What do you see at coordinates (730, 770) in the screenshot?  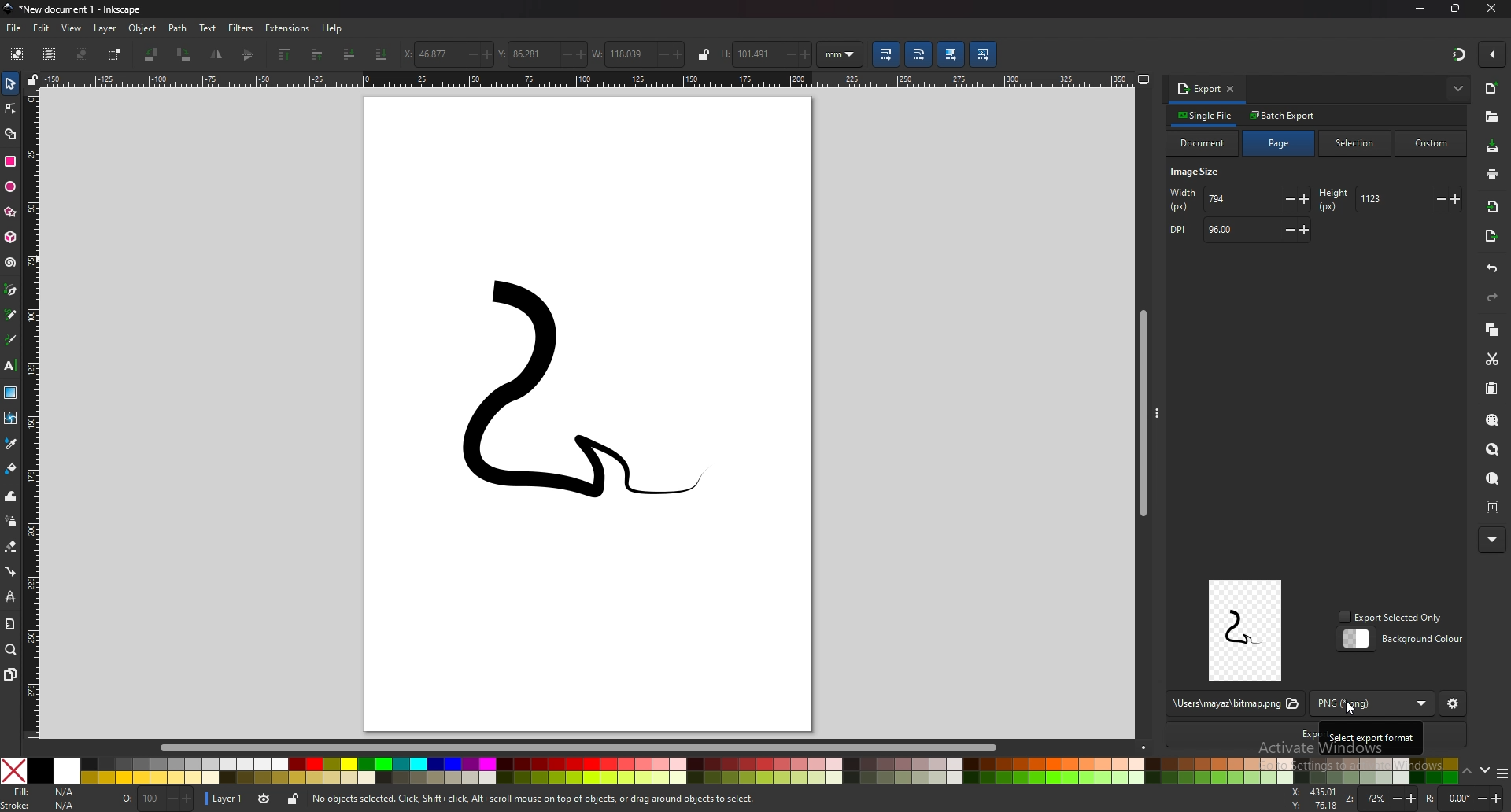 I see `colors` at bounding box center [730, 770].